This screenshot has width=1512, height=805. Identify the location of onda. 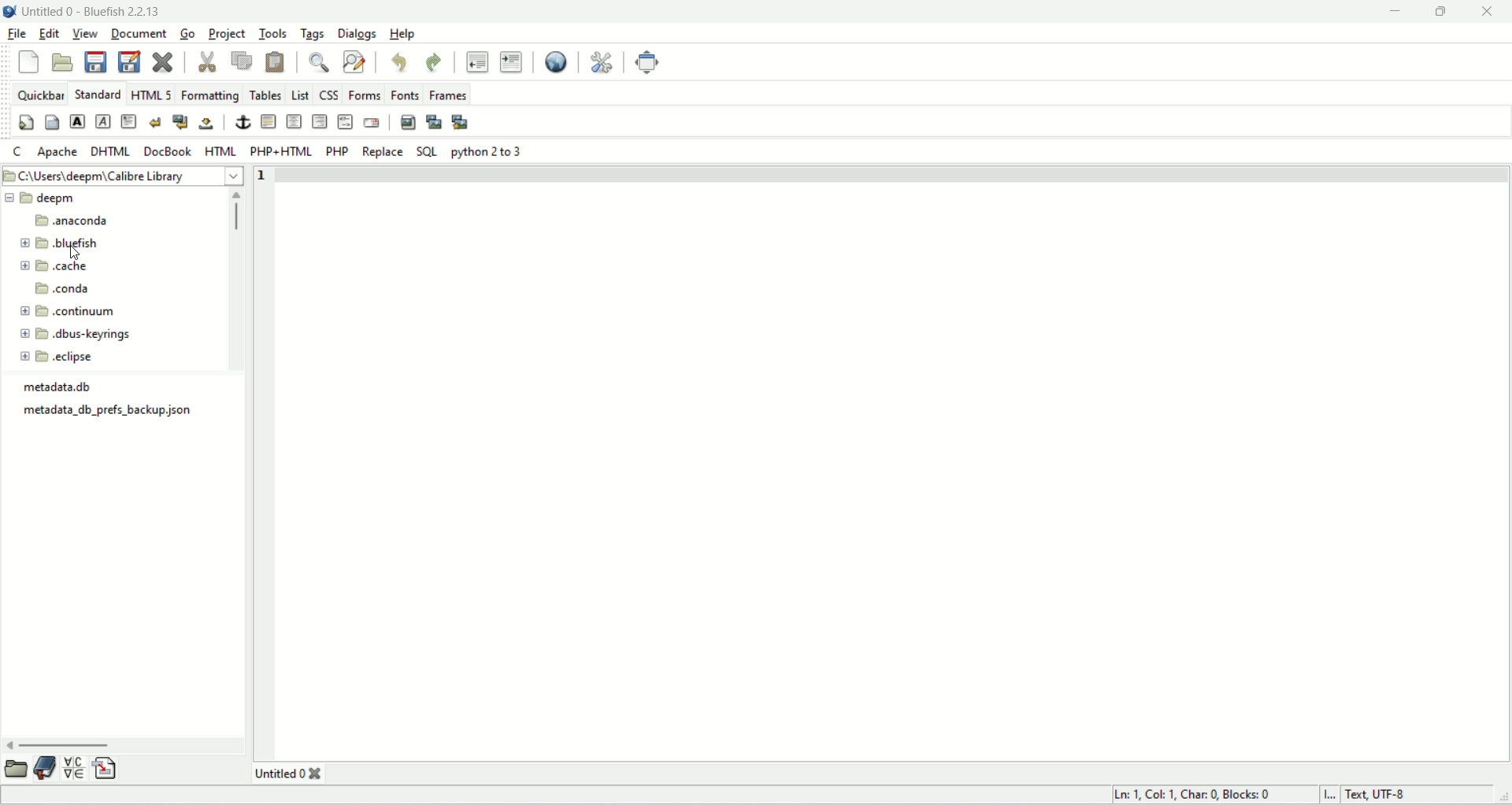
(65, 288).